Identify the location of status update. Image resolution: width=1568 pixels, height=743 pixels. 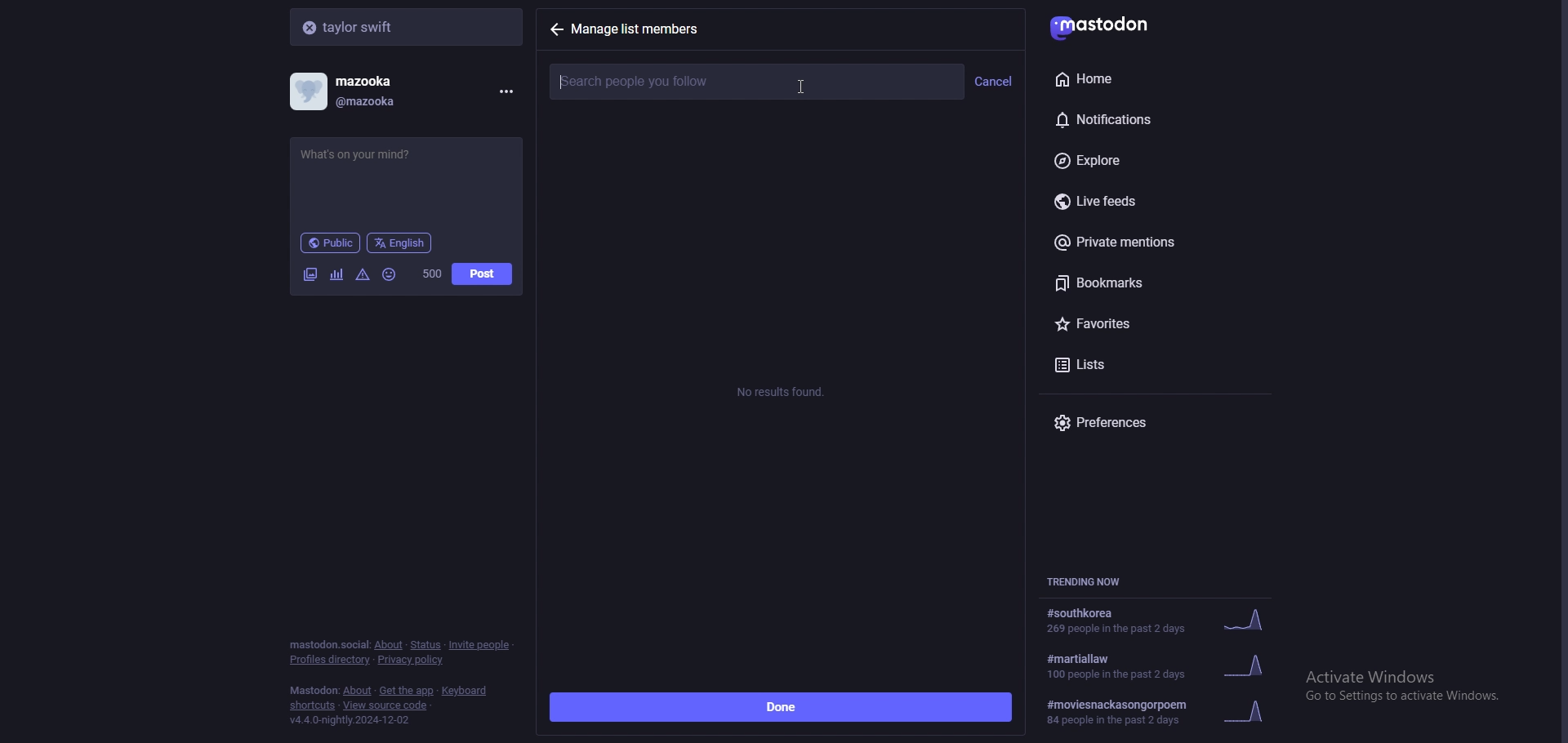
(370, 154).